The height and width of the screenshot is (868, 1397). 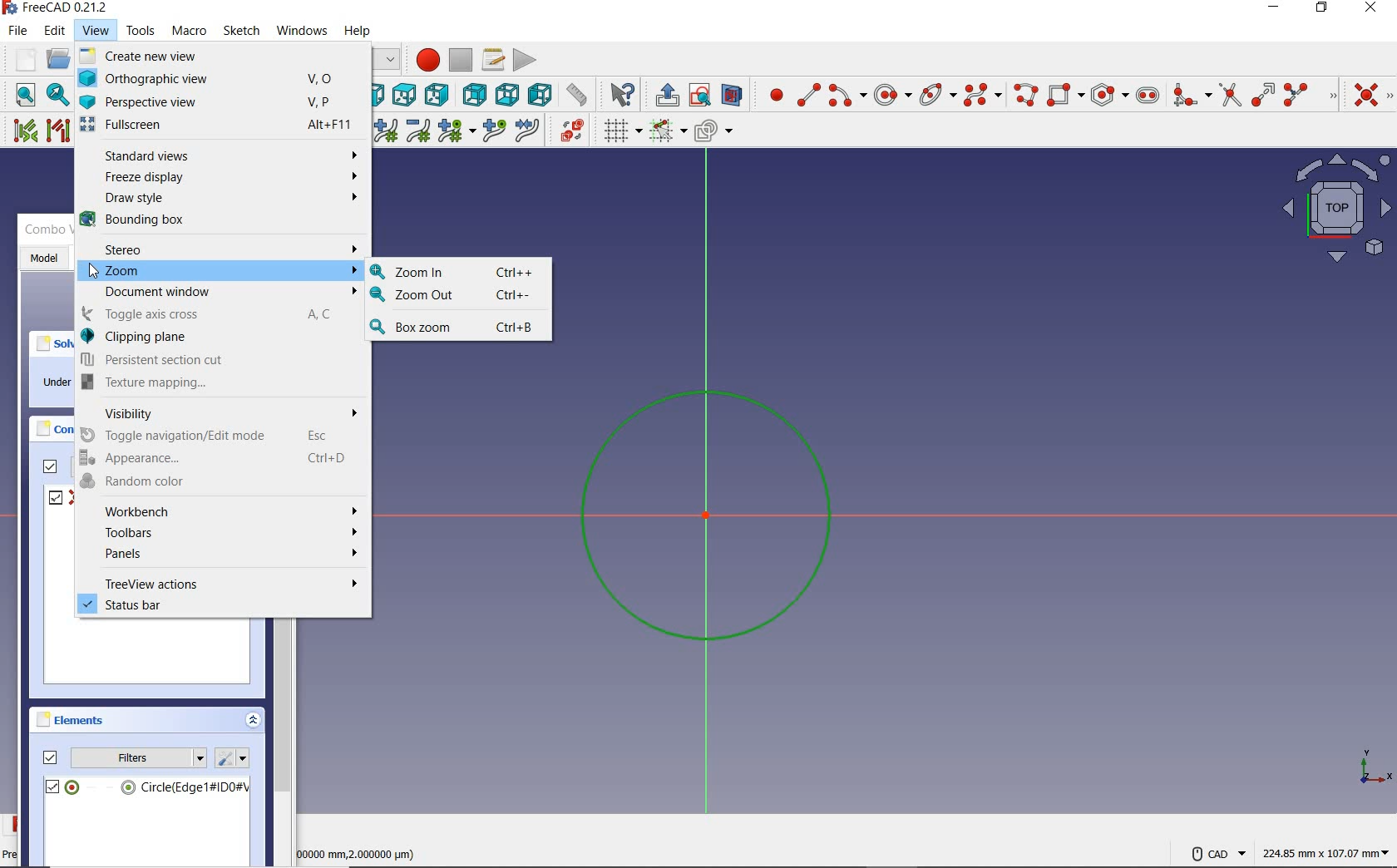 I want to click on cursor, so click(x=96, y=272).